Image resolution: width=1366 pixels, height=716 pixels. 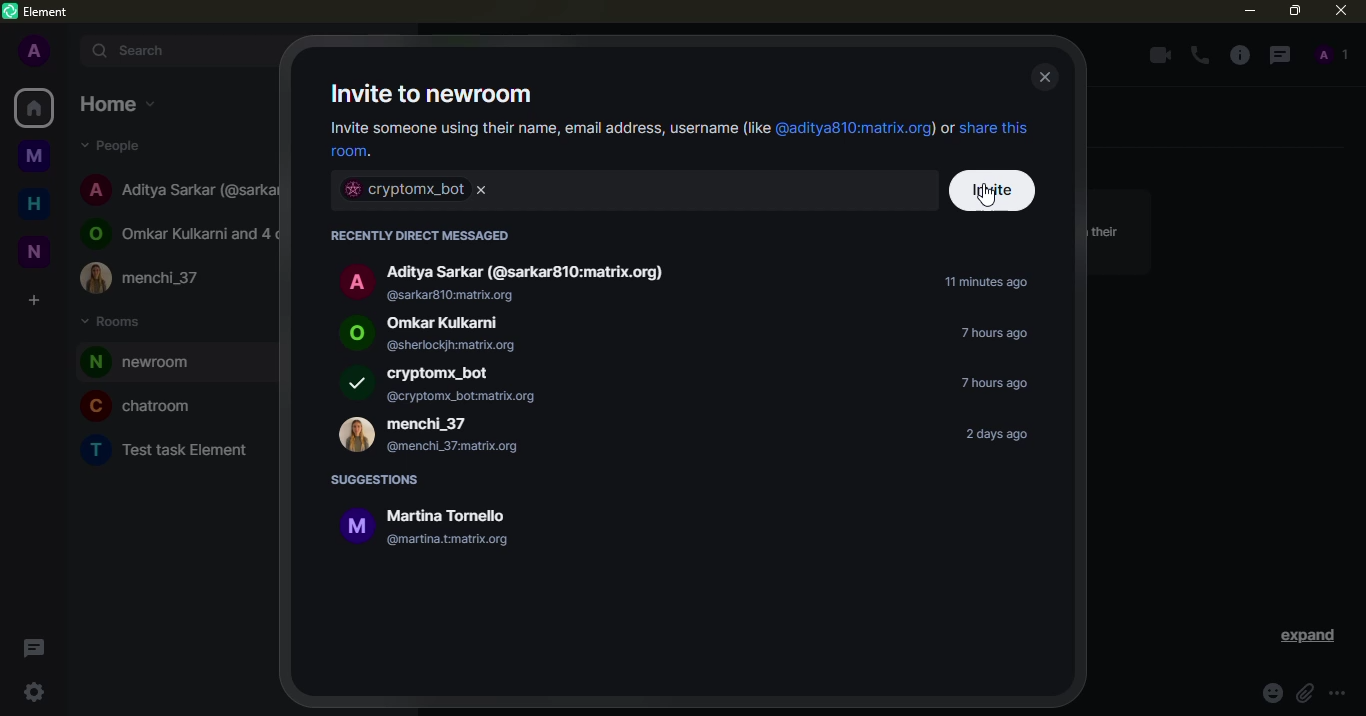 I want to click on suggestions, so click(x=375, y=479).